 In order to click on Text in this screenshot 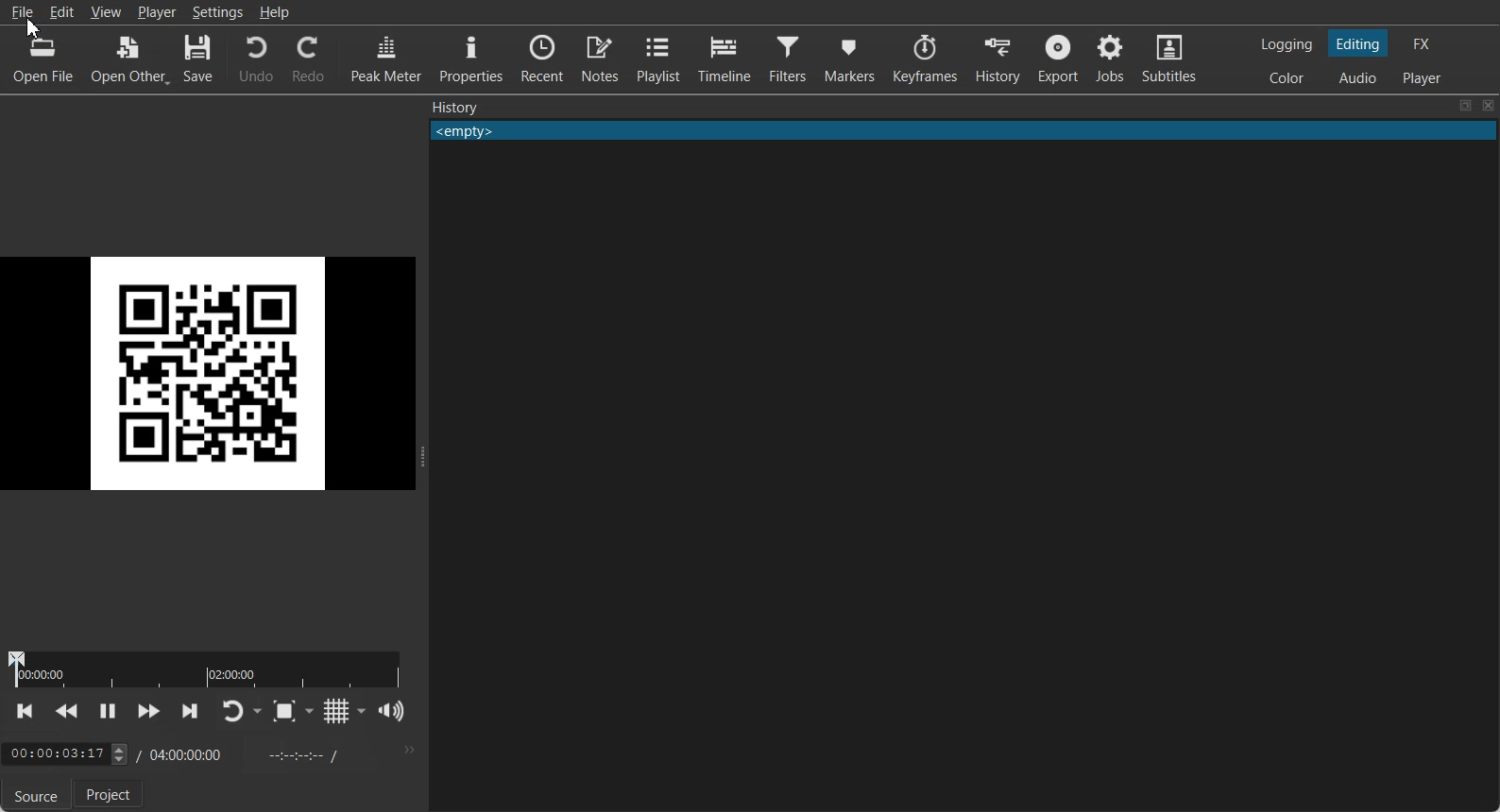, I will do `click(963, 131)`.